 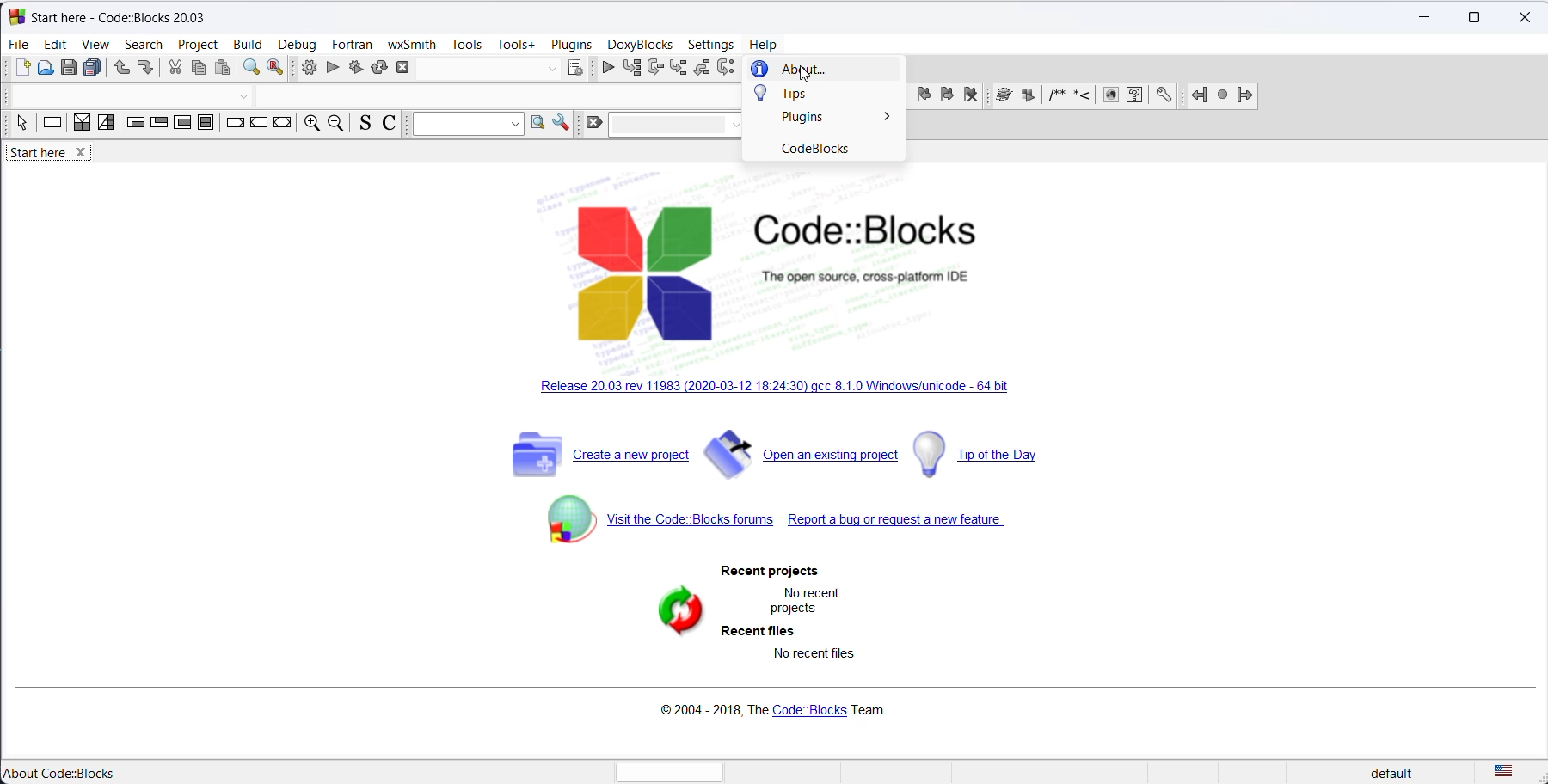 What do you see at coordinates (366, 123) in the screenshot?
I see `source comments` at bounding box center [366, 123].